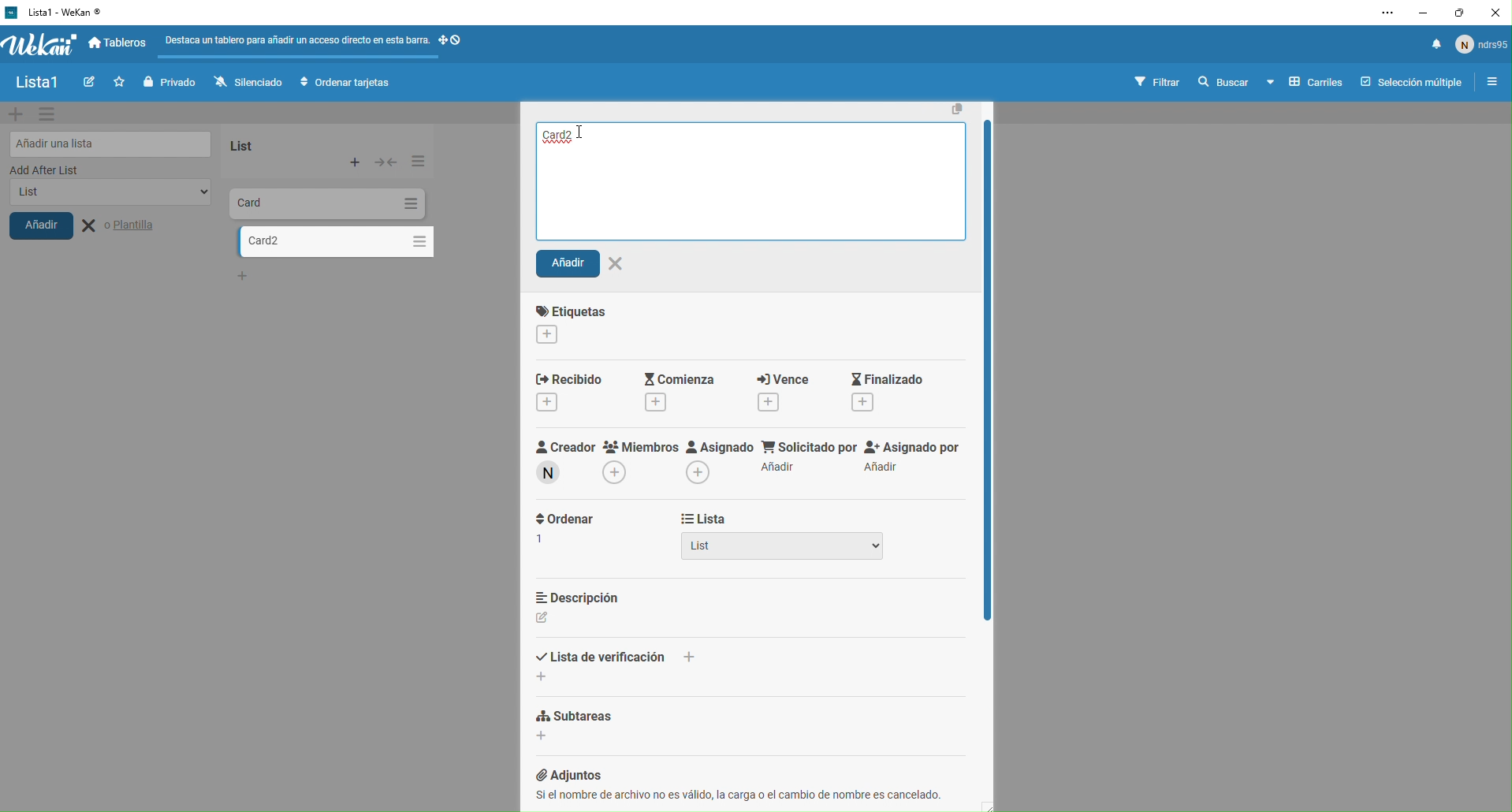 Image resolution: width=1512 pixels, height=812 pixels. What do you see at coordinates (290, 202) in the screenshot?
I see `Card` at bounding box center [290, 202].